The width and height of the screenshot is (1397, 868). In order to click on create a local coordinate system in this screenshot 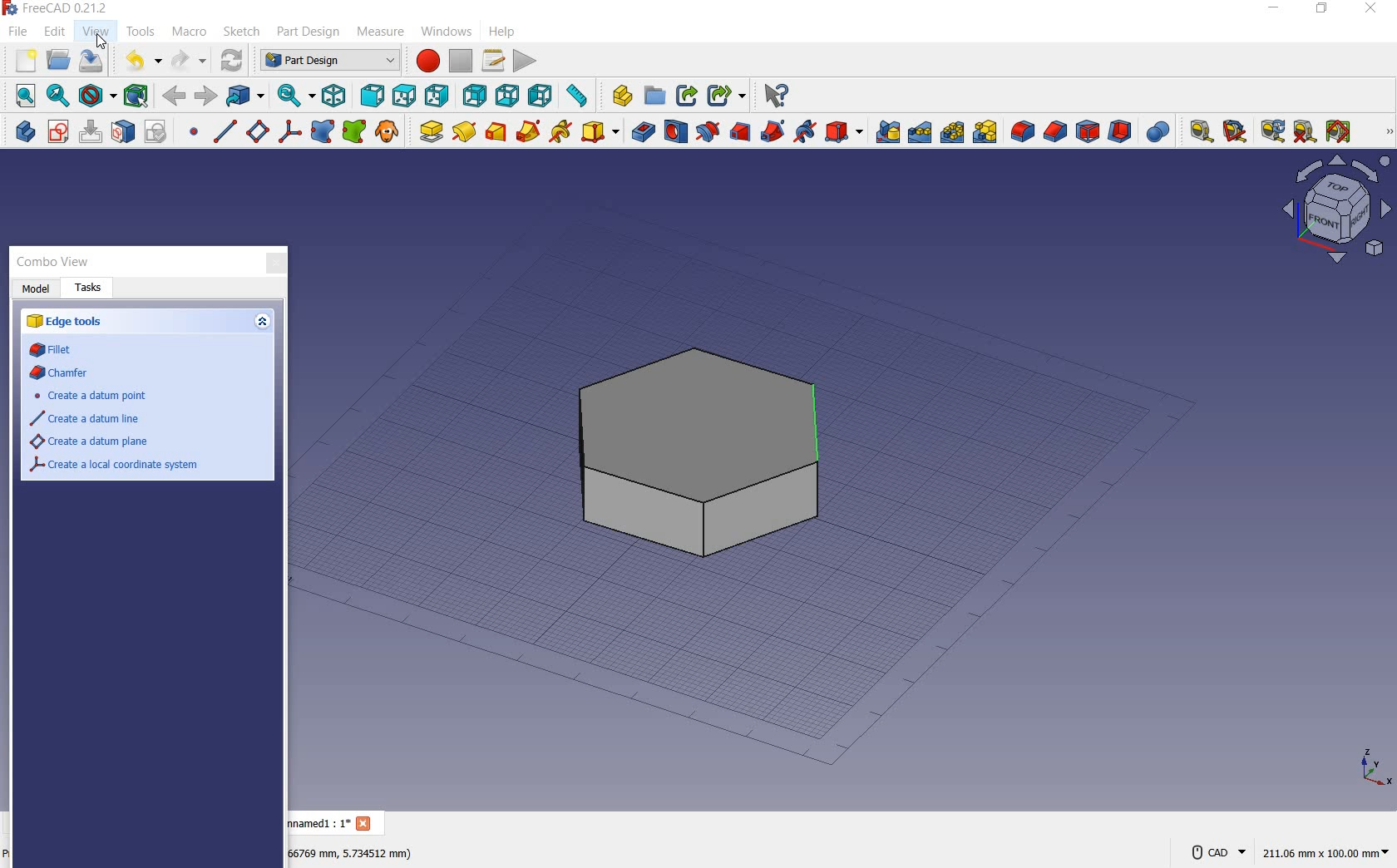, I will do `click(116, 466)`.